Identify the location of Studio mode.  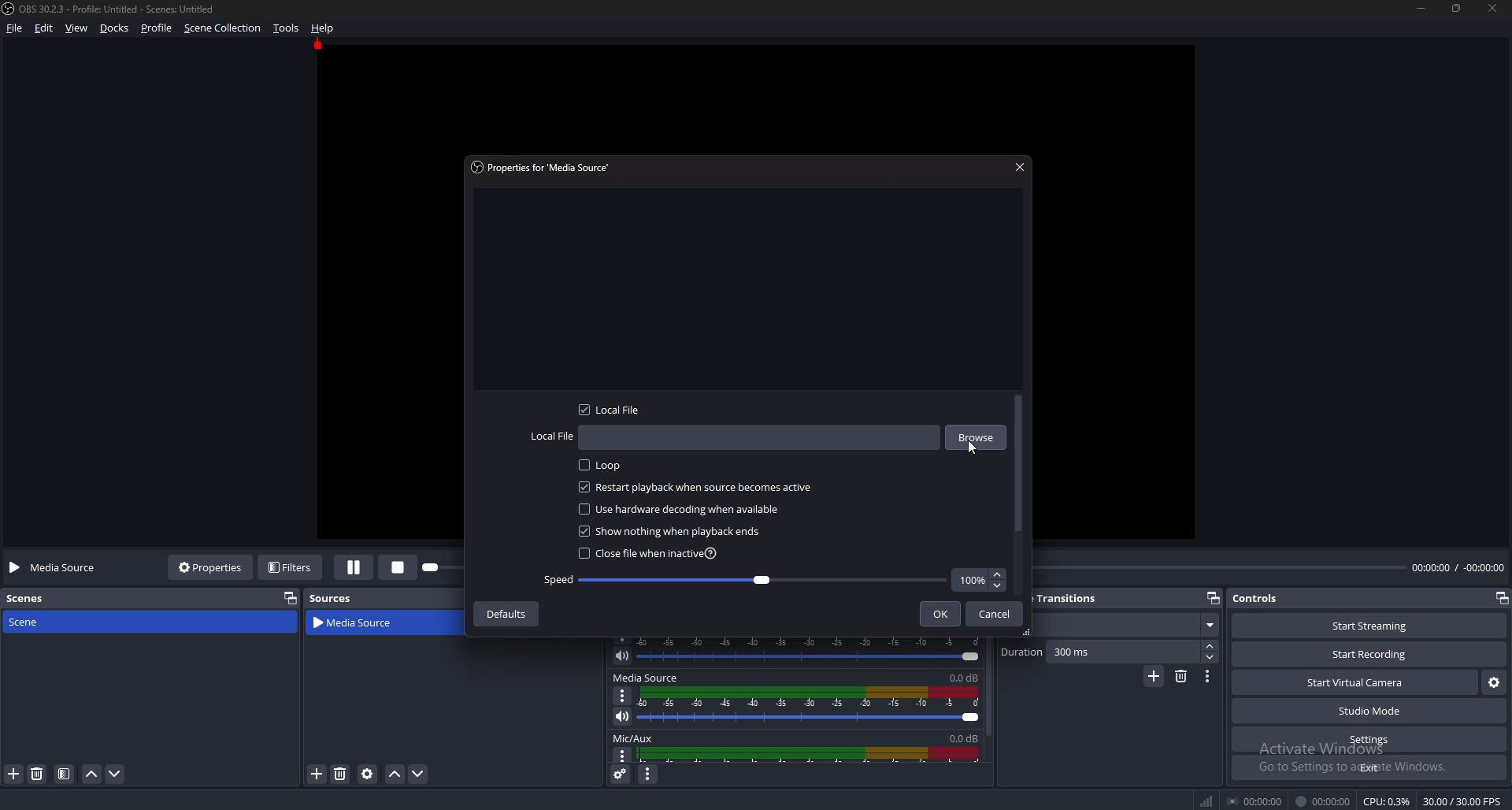
(1370, 711).